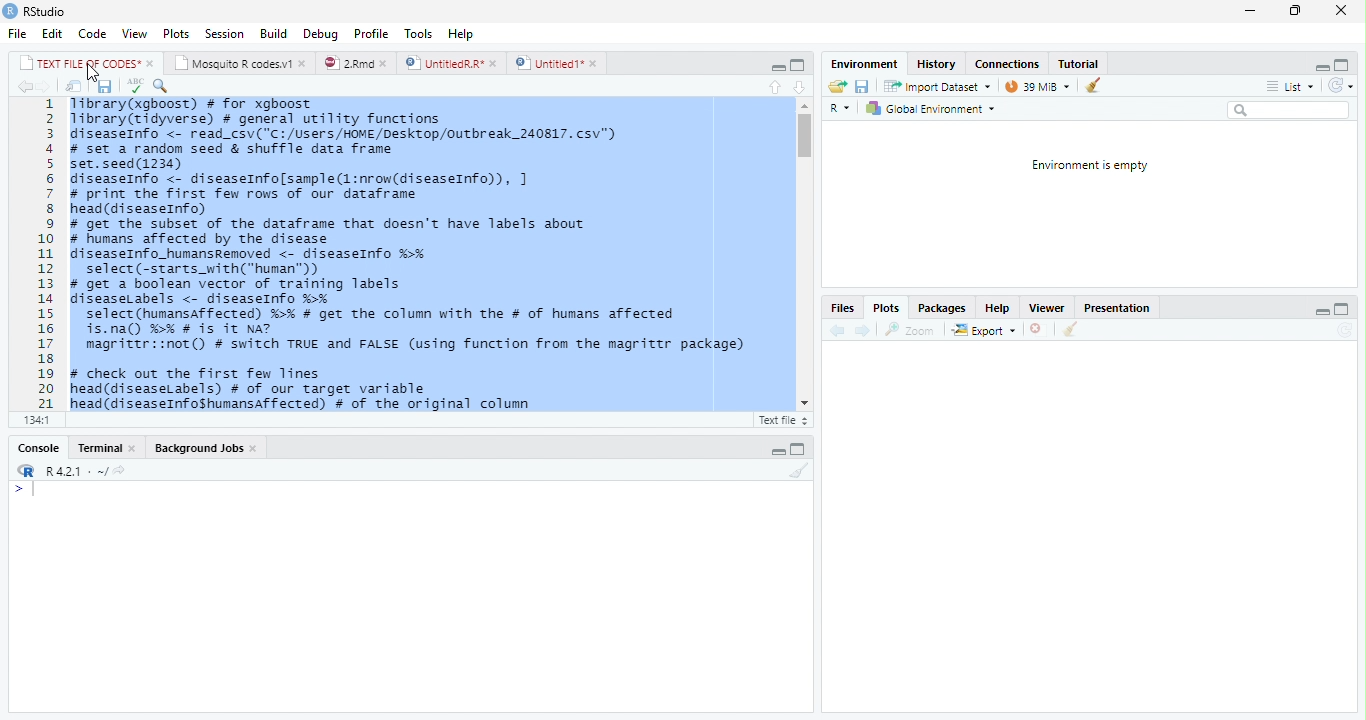 The height and width of the screenshot is (720, 1366). I want to click on # get a boolean vector of training labels
diseaseLabels <-_diseaseInfo %%
select (humansaffected) %>% # get the column with the # of humans affected
is.na() %% # is it Na?
magrittr::not() # switch TRUE and FALSE (using function from the magrittr package), so click(411, 318).